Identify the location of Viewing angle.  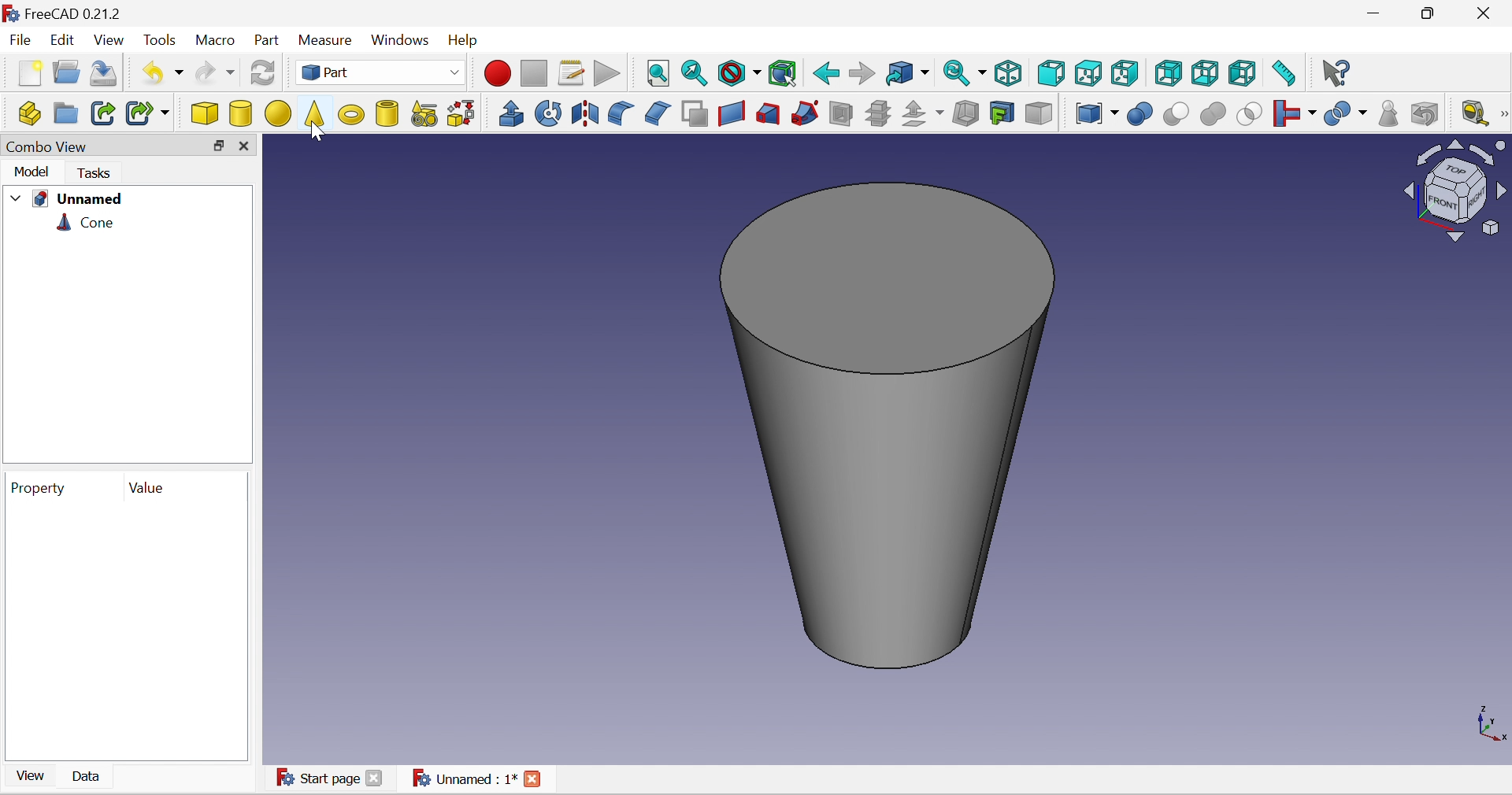
(1455, 191).